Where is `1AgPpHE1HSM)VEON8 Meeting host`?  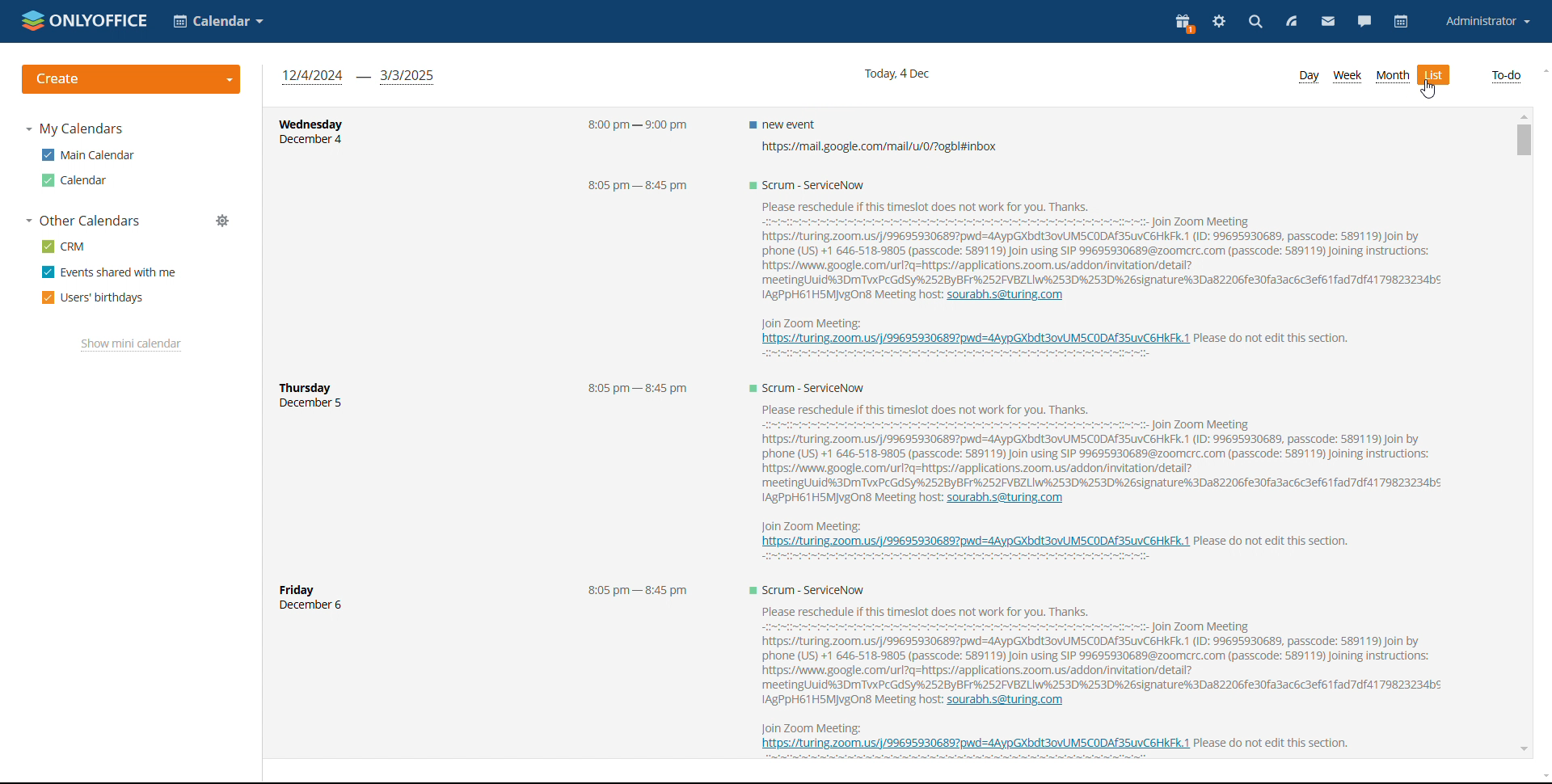 1AgPpHE1HSM)VEON8 Meeting host is located at coordinates (844, 499).